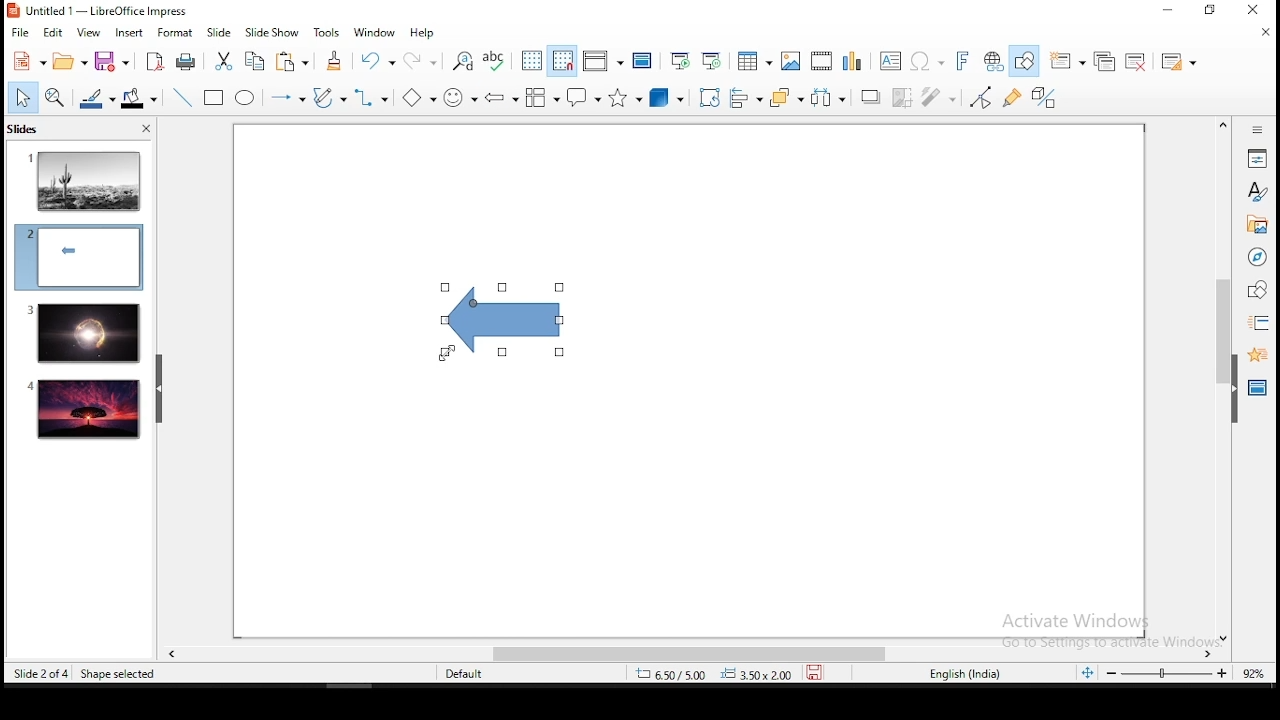 This screenshot has width=1280, height=720. Describe the element at coordinates (335, 61) in the screenshot. I see `clone formatting` at that location.